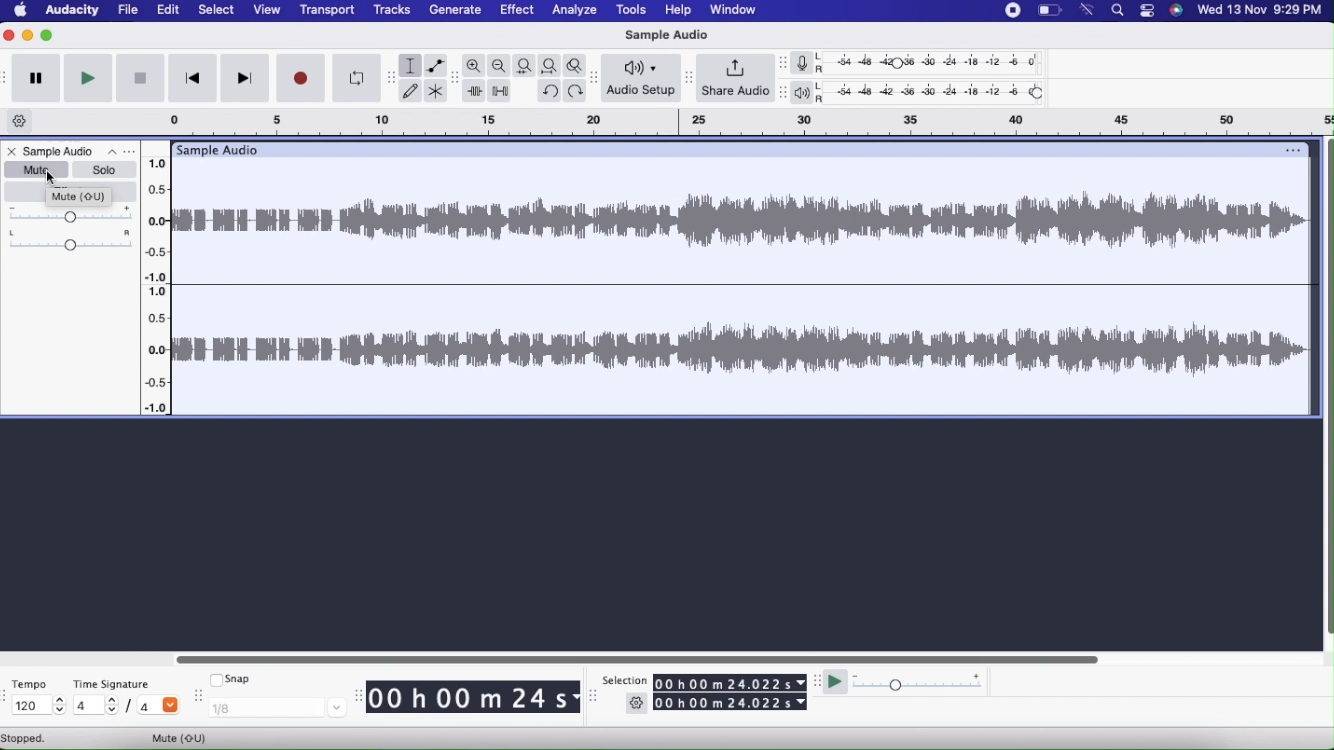  Describe the element at coordinates (156, 282) in the screenshot. I see `Slider` at that location.